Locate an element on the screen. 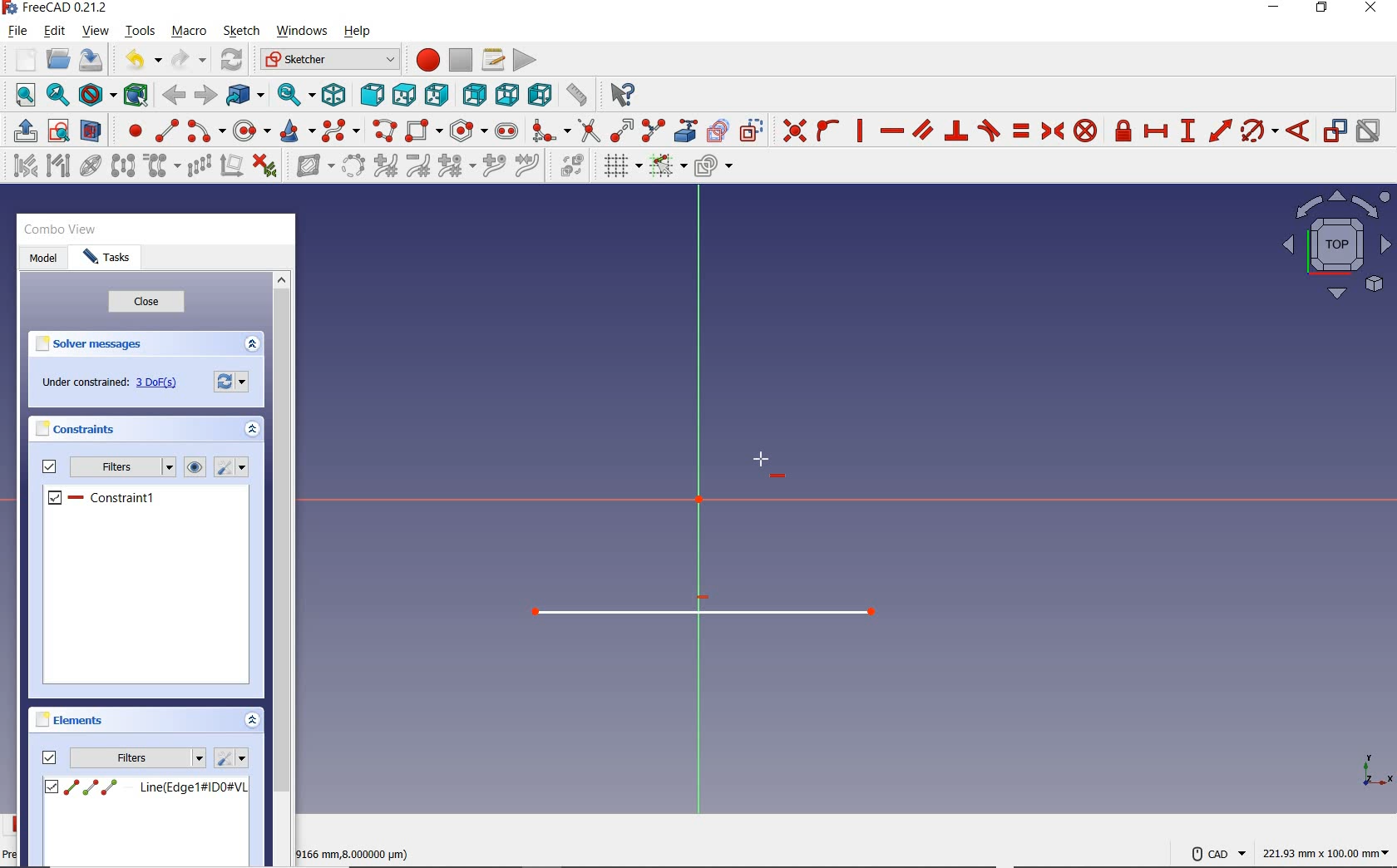  GO TO LINKED OBJECT is located at coordinates (246, 96).